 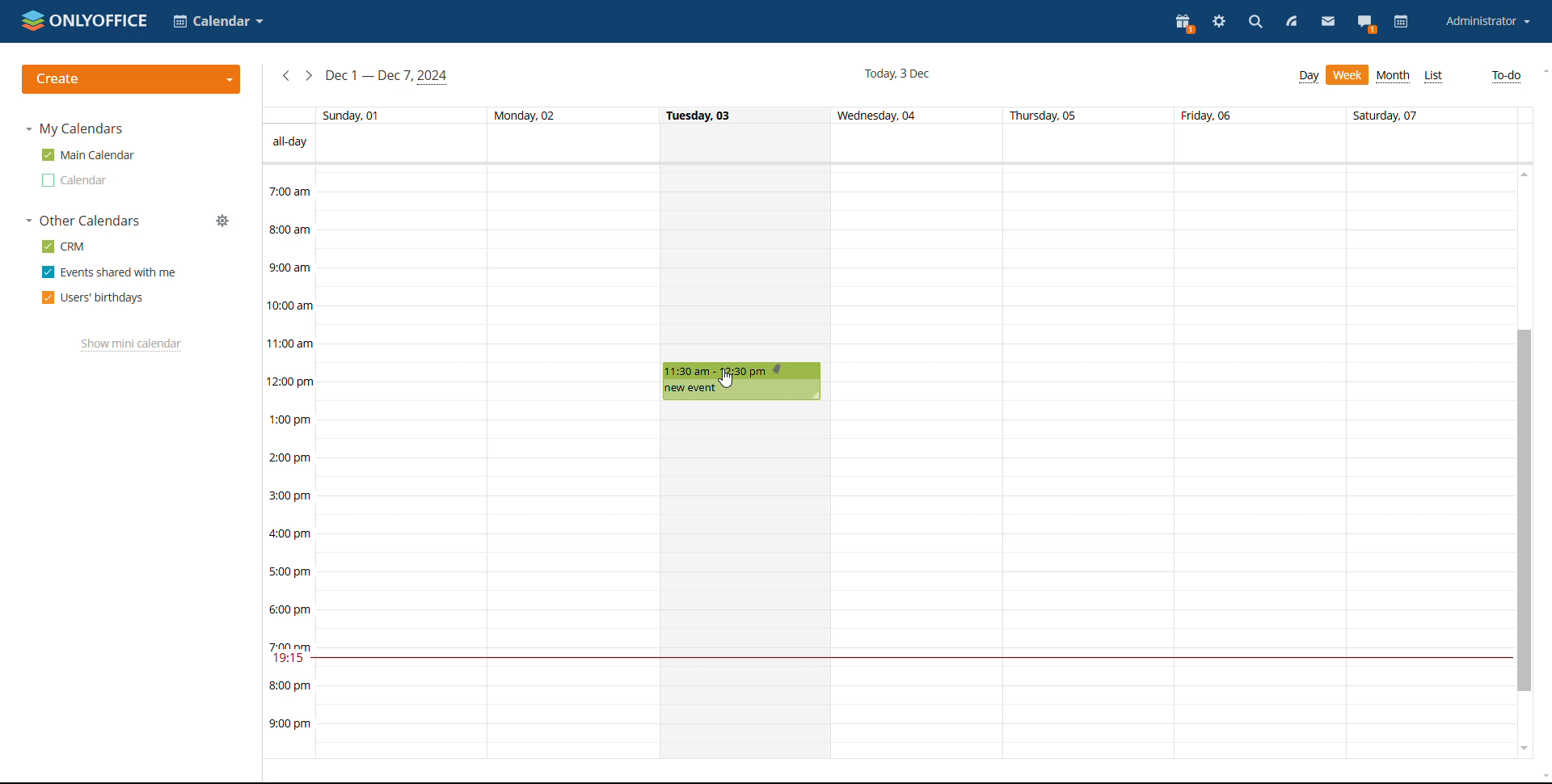 I want to click on 11:00 am, so click(x=291, y=343).